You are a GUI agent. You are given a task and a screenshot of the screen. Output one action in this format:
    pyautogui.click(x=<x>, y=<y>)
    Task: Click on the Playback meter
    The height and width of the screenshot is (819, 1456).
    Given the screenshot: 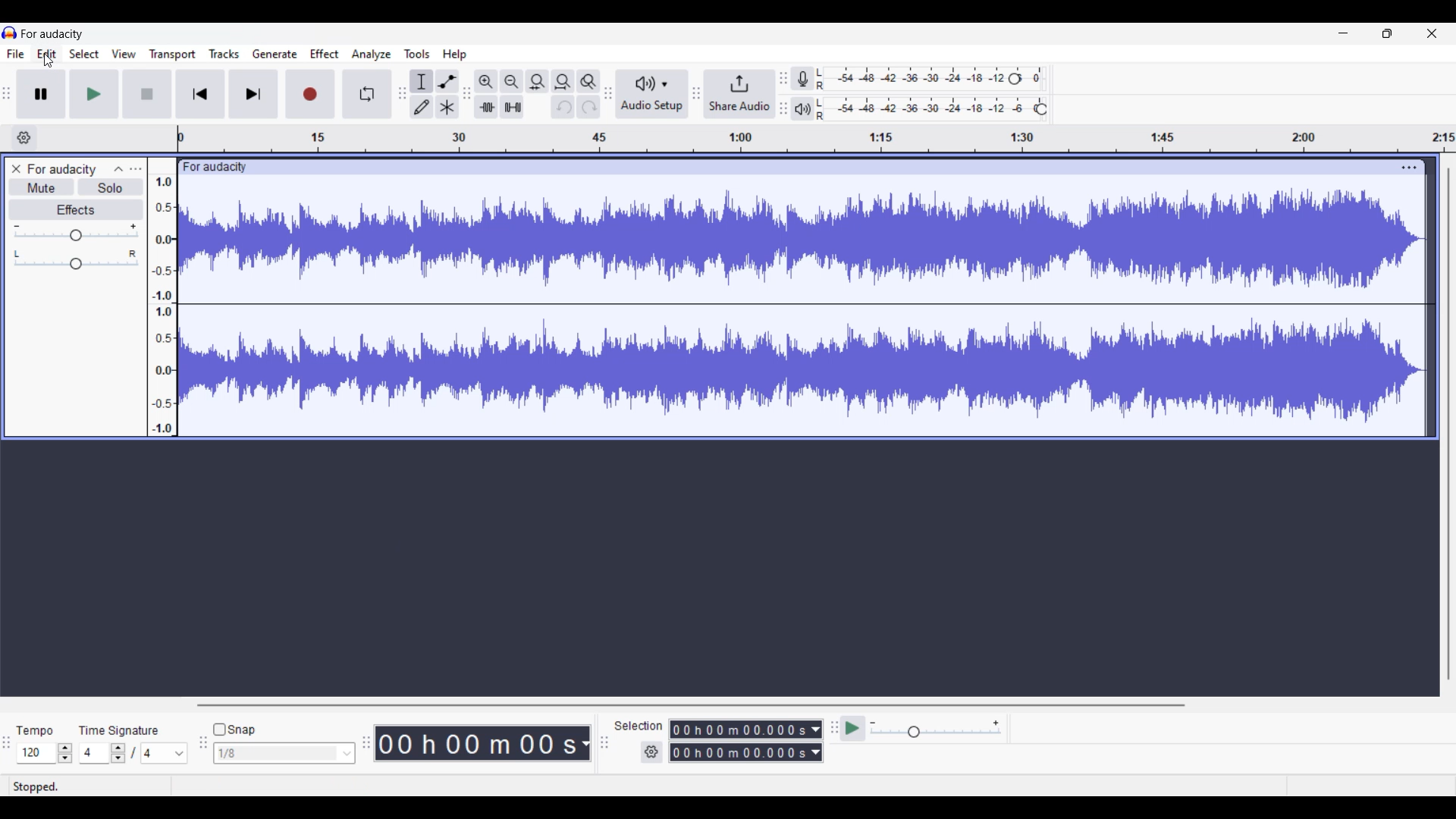 What is the action you would take?
    pyautogui.click(x=802, y=108)
    